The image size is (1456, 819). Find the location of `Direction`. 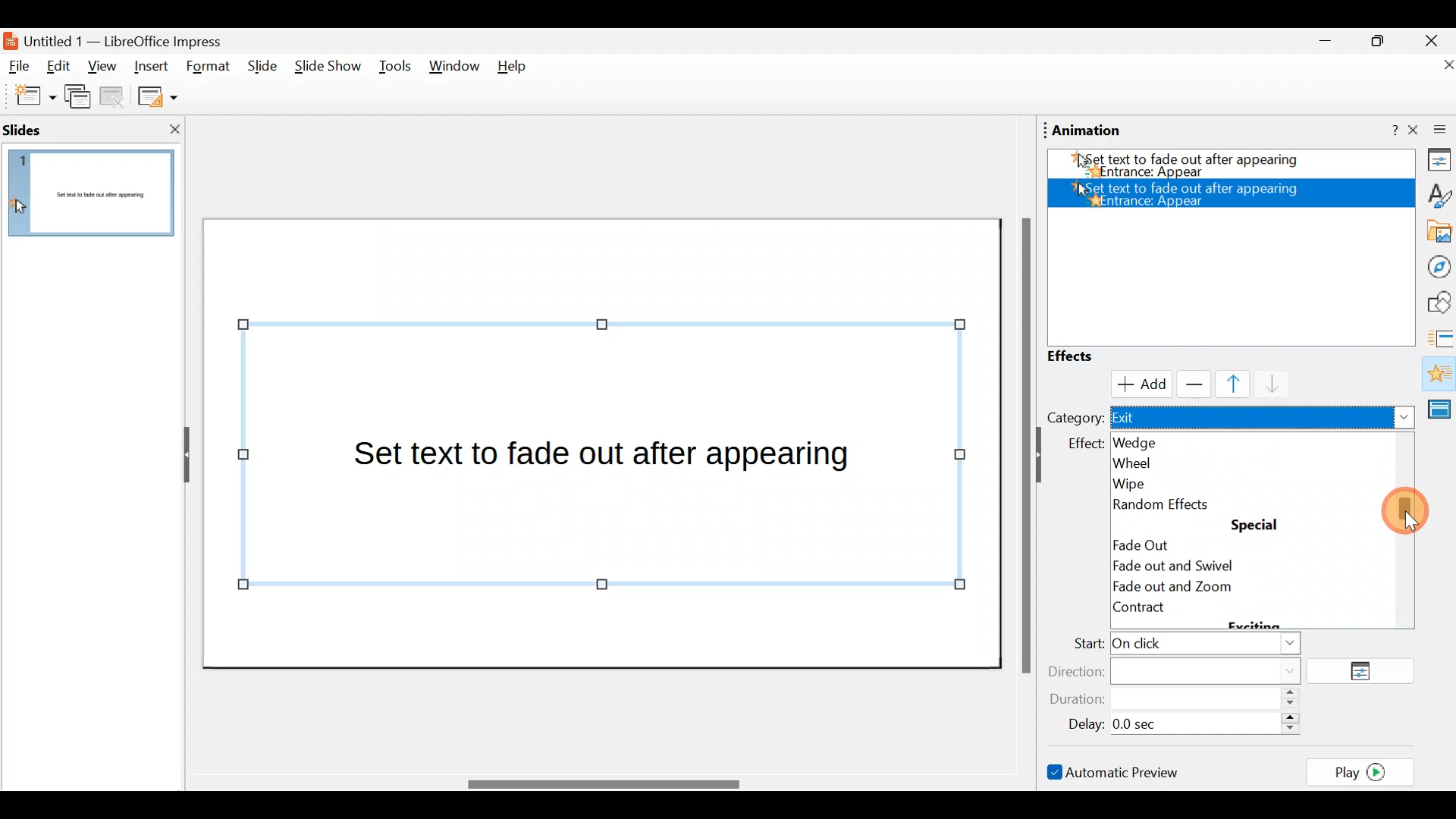

Direction is located at coordinates (1184, 670).